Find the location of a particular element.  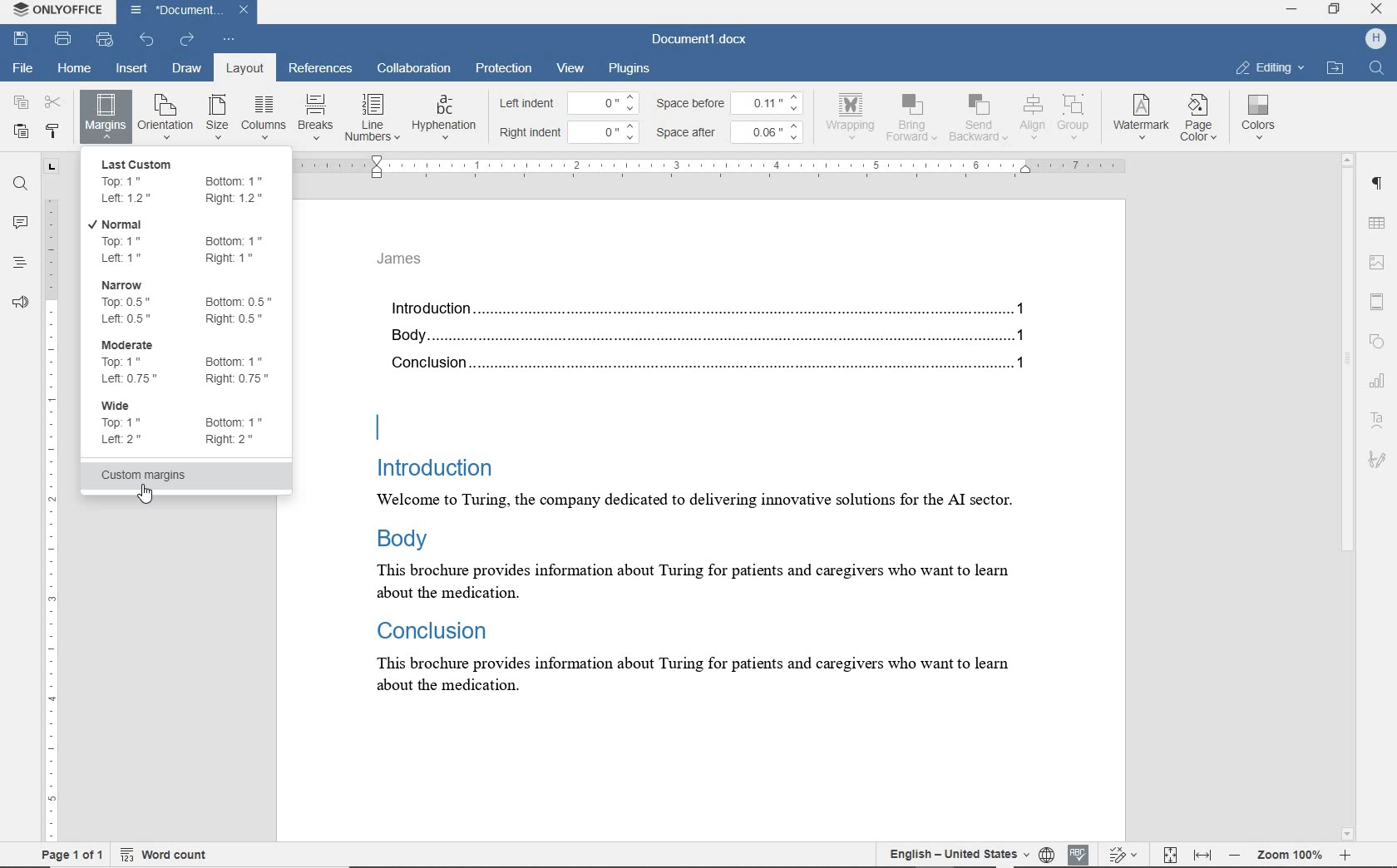

file is located at coordinates (24, 66).